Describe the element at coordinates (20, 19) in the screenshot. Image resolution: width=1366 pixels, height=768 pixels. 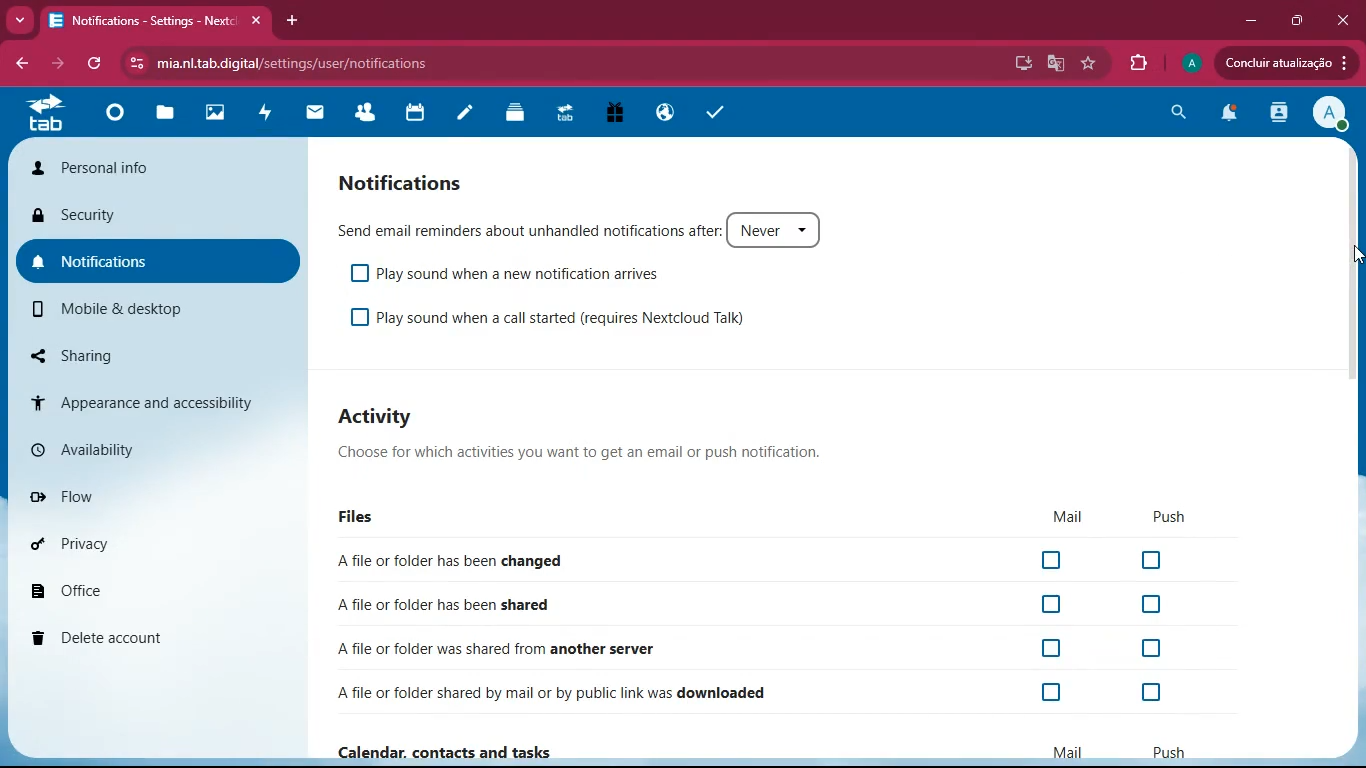
I see `more` at that location.